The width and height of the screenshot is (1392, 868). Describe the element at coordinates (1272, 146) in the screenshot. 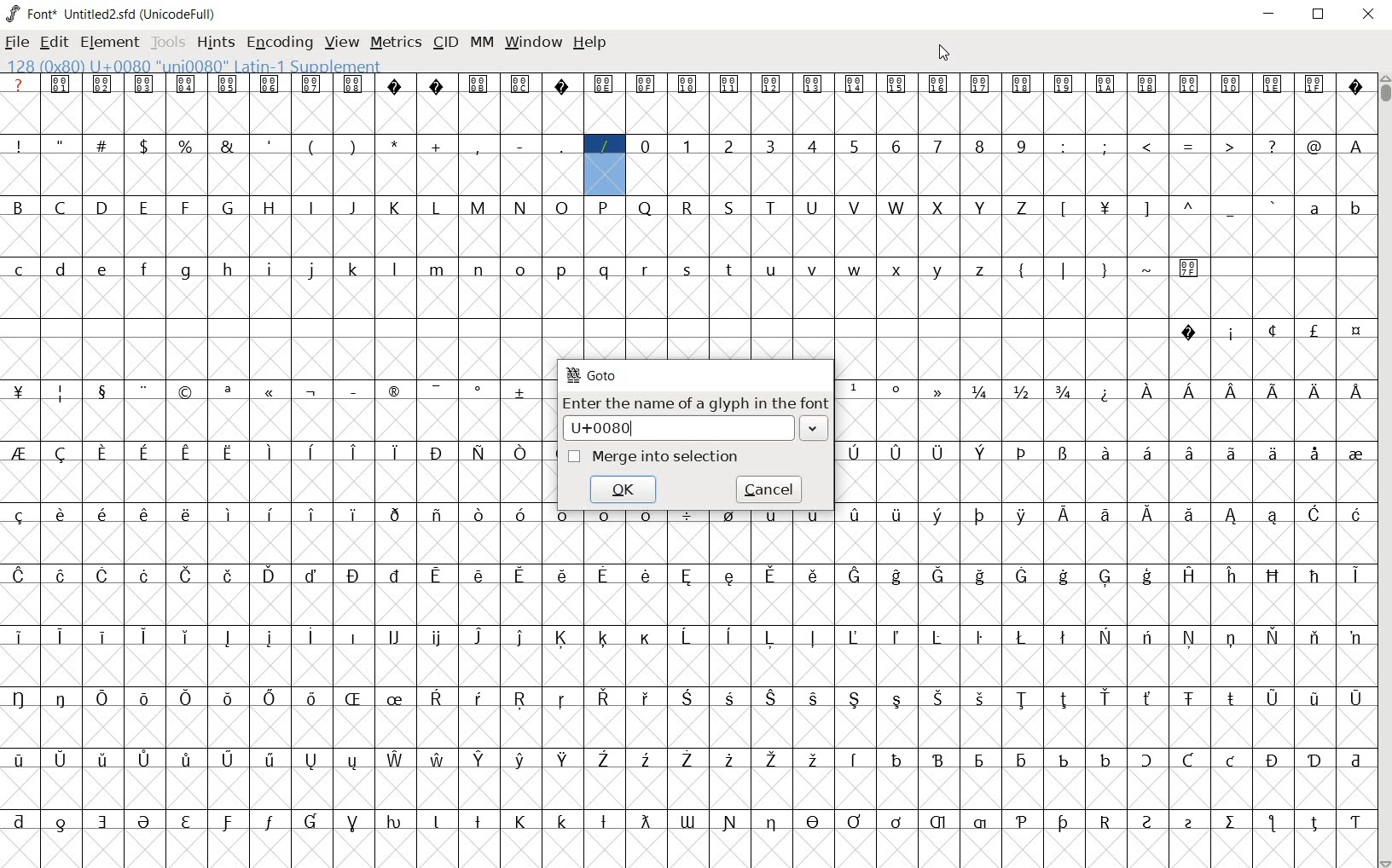

I see `glyph` at that location.